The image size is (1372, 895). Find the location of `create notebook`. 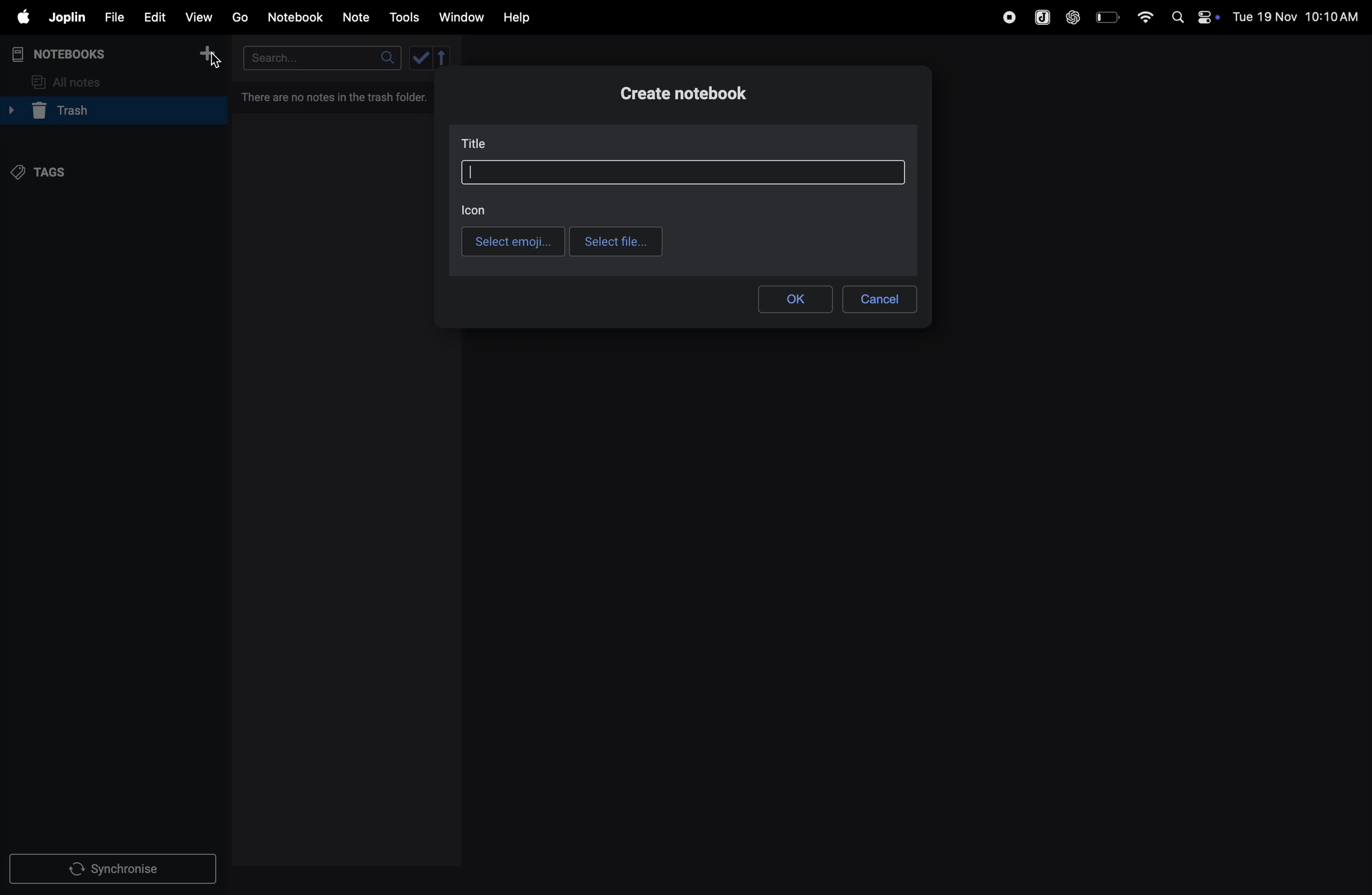

create notebook is located at coordinates (694, 96).